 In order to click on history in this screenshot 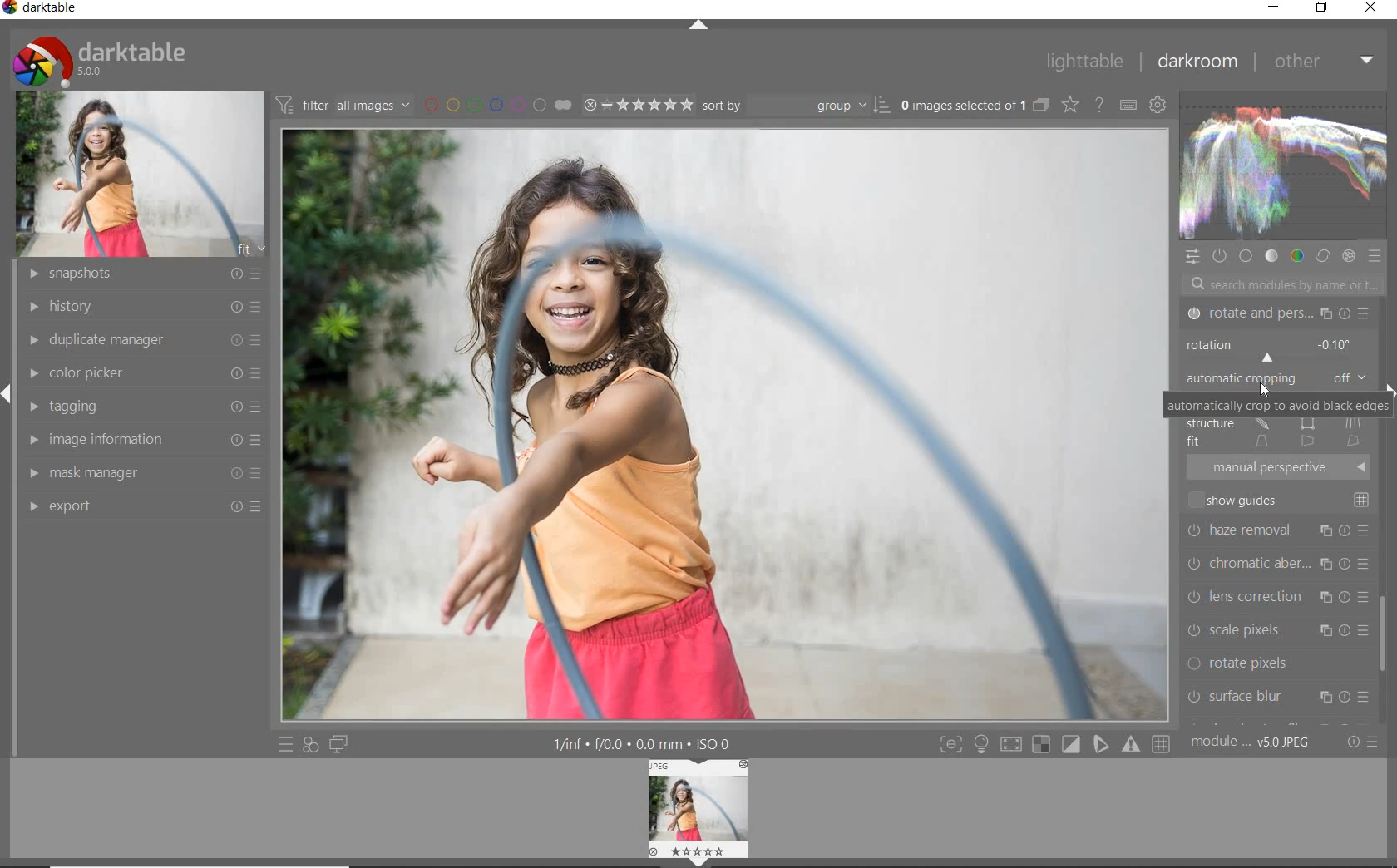, I will do `click(146, 306)`.